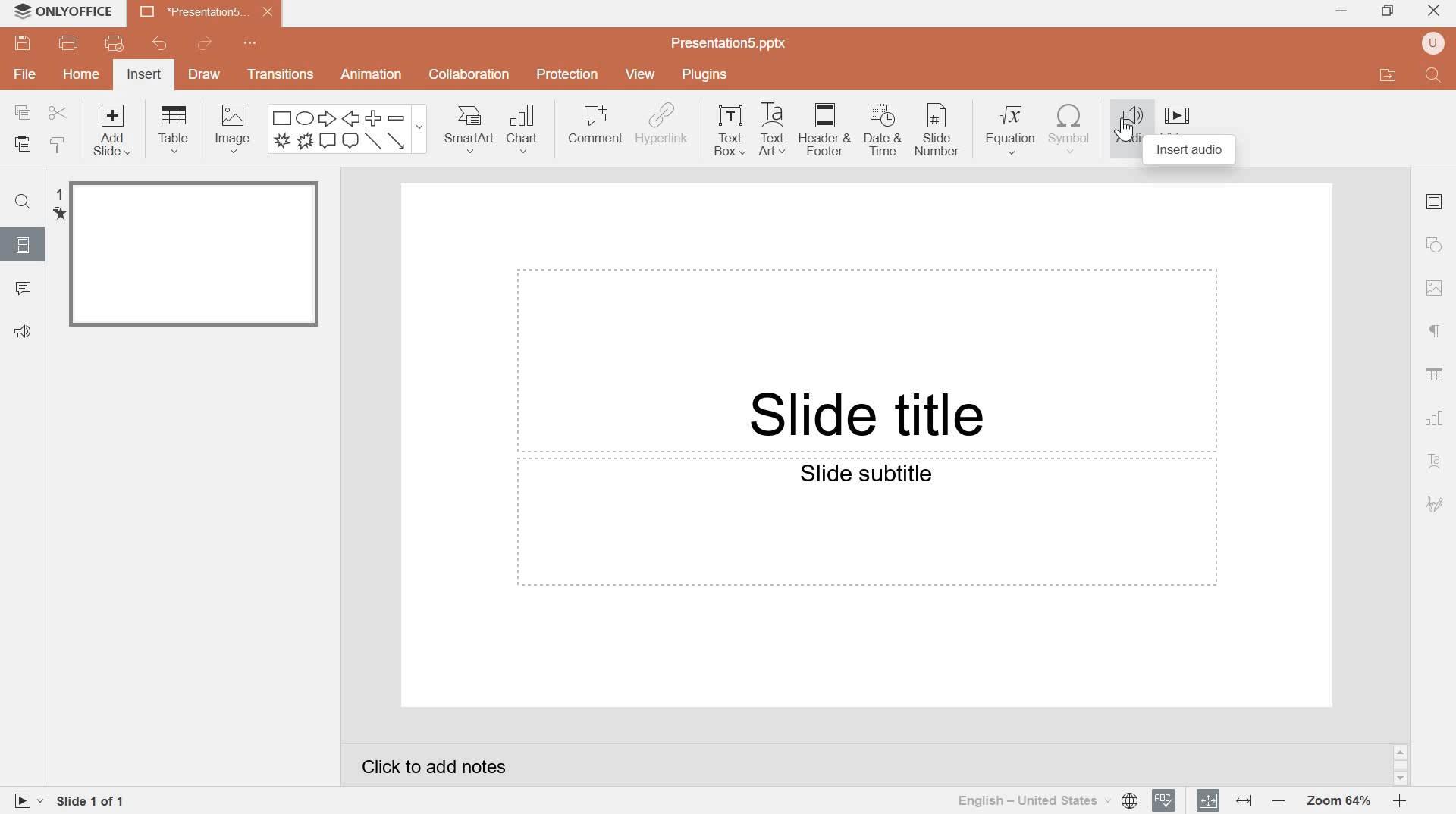  I want to click on Table settings, so click(1434, 374).